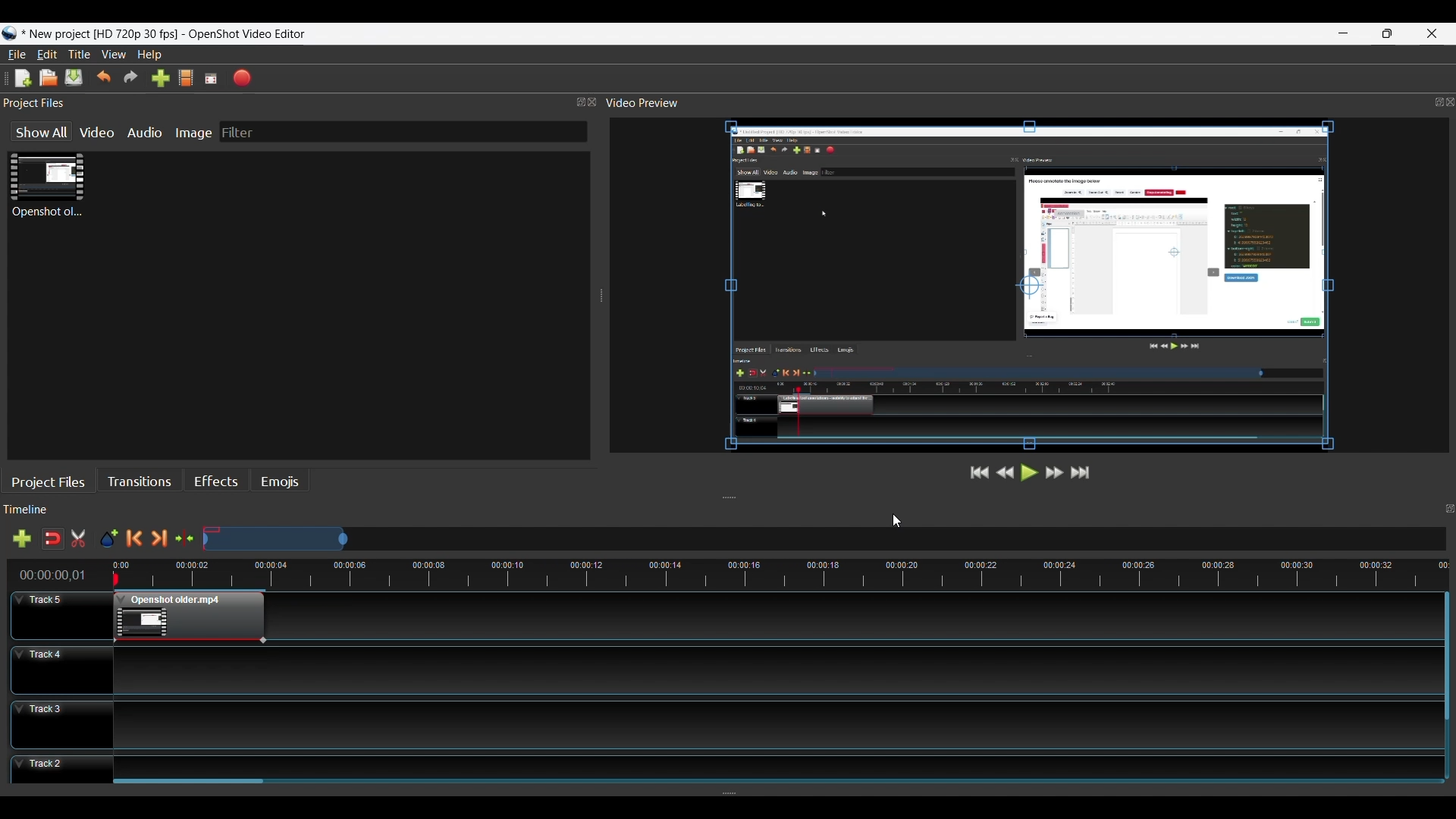 This screenshot has height=819, width=1456. I want to click on Track Header, so click(58, 670).